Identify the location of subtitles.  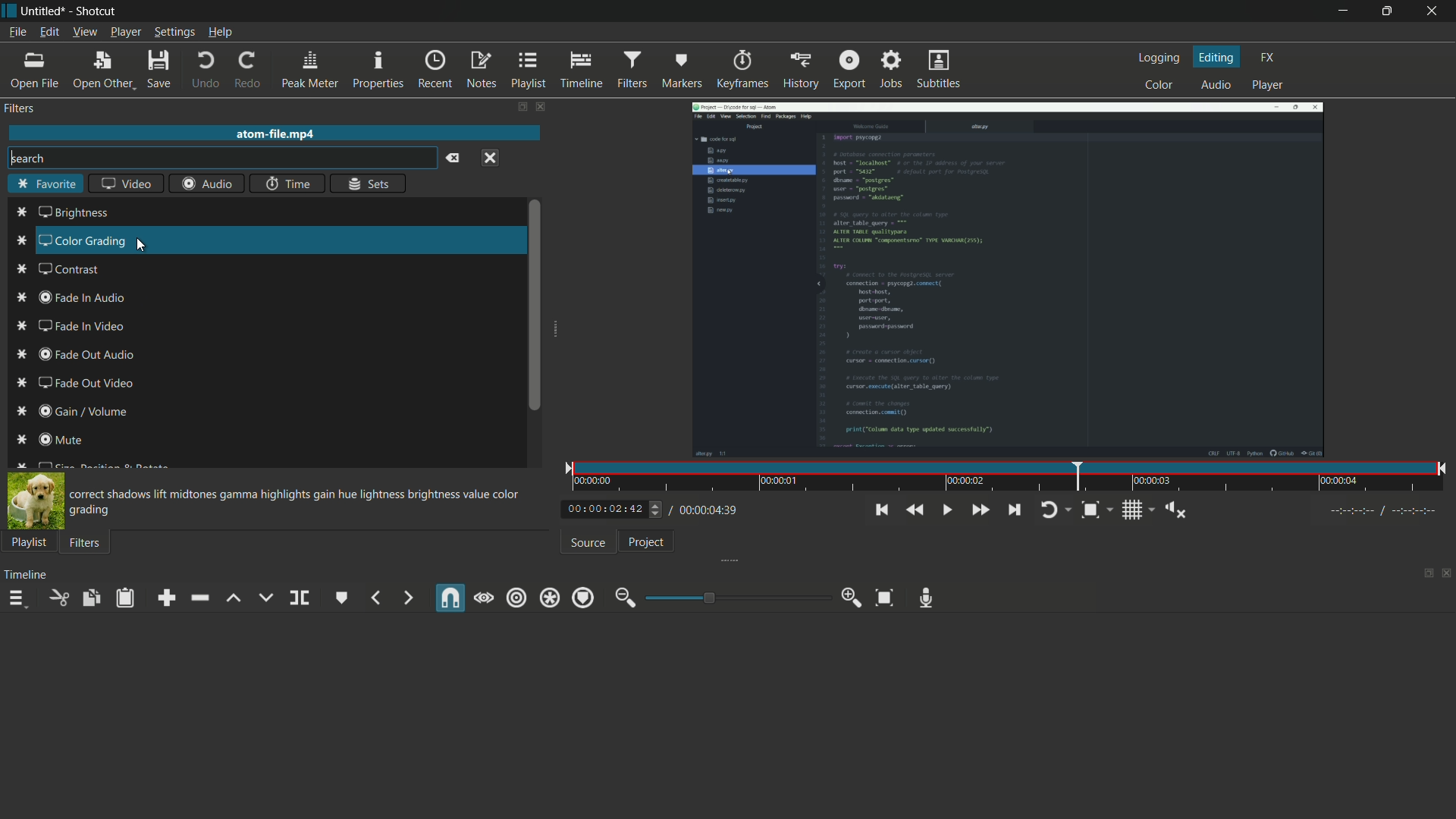
(938, 69).